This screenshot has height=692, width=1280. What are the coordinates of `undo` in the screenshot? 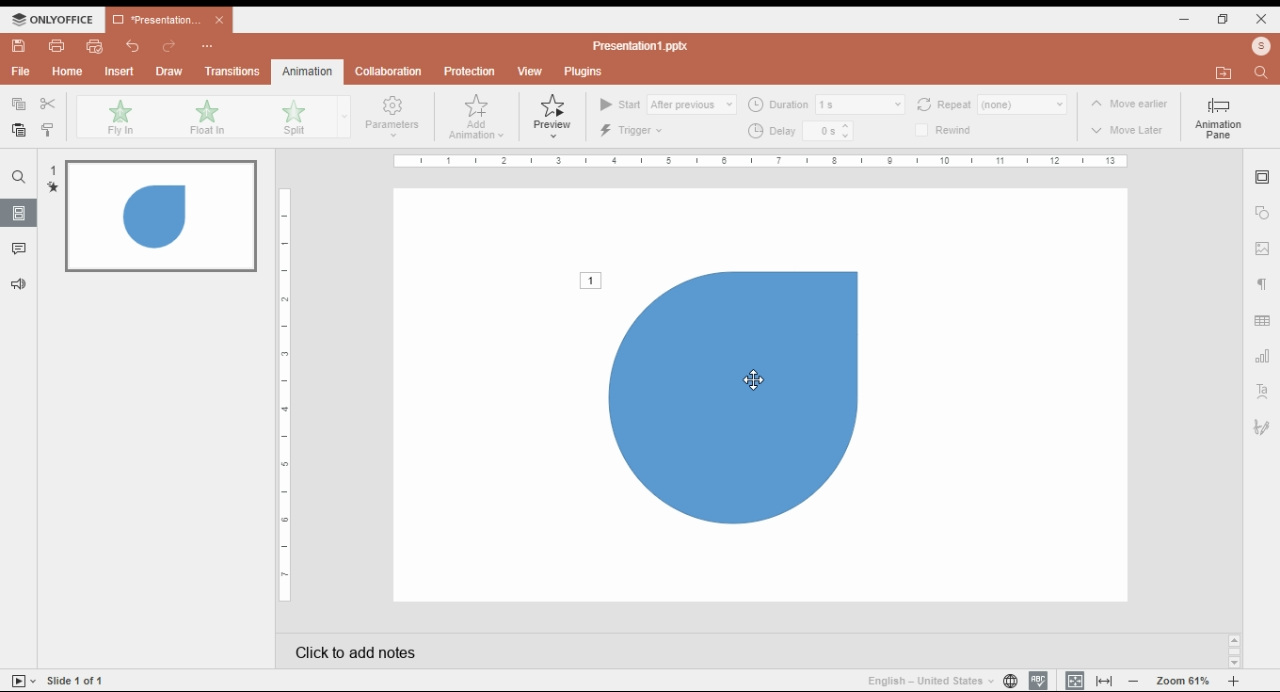 It's located at (133, 46).